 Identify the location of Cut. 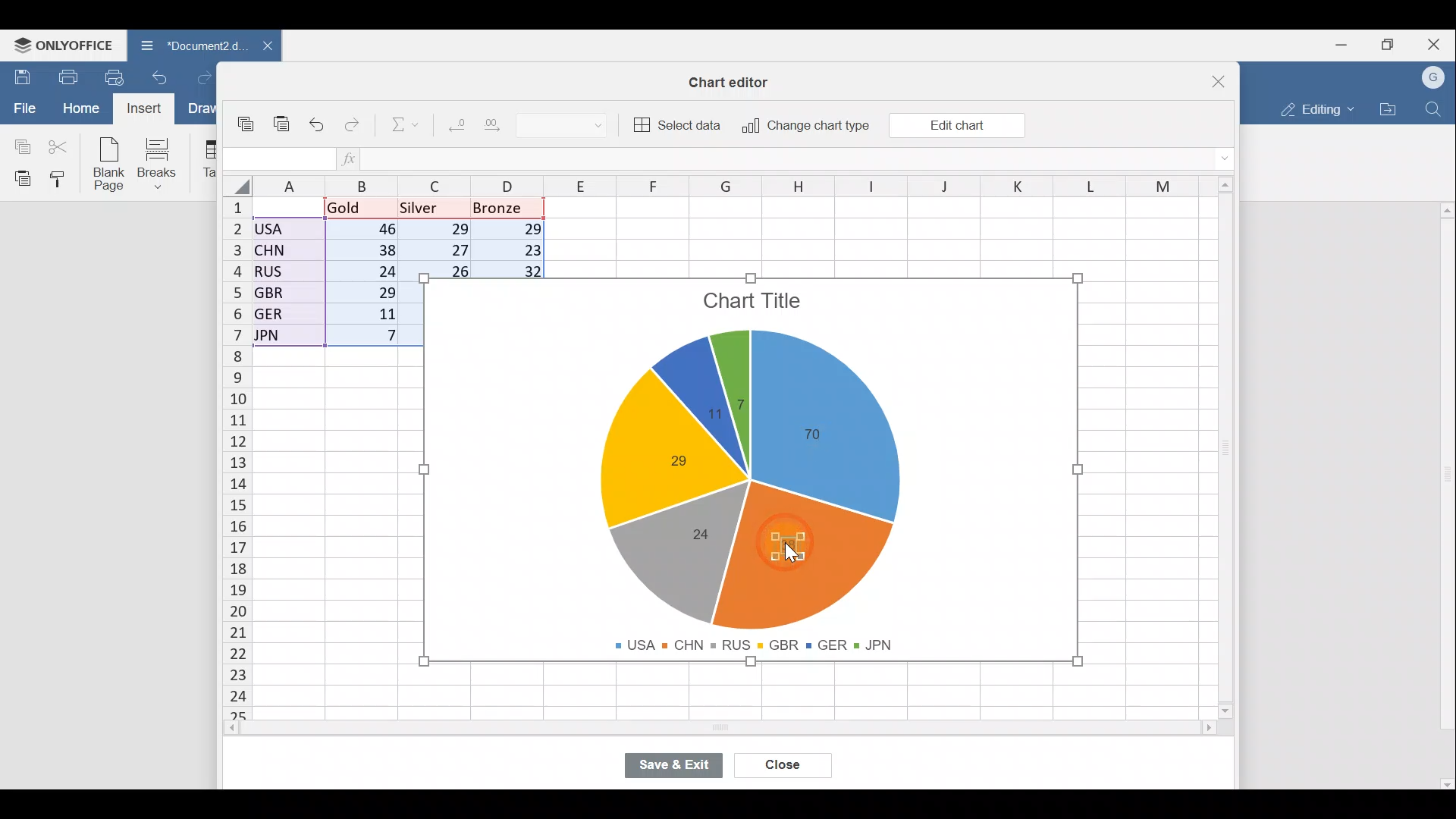
(59, 146).